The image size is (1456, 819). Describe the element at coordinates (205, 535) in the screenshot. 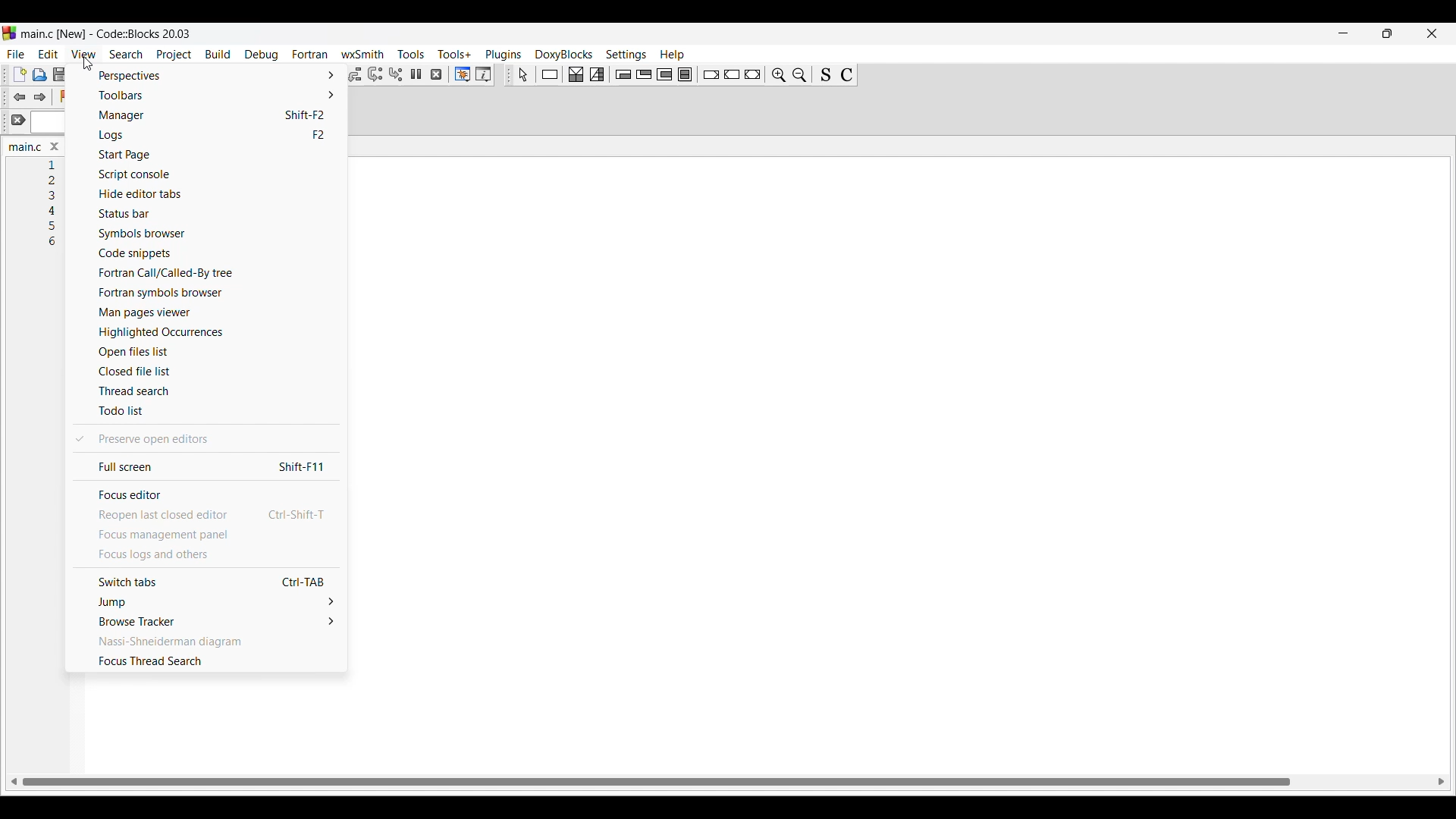

I see `Focus management panel` at that location.